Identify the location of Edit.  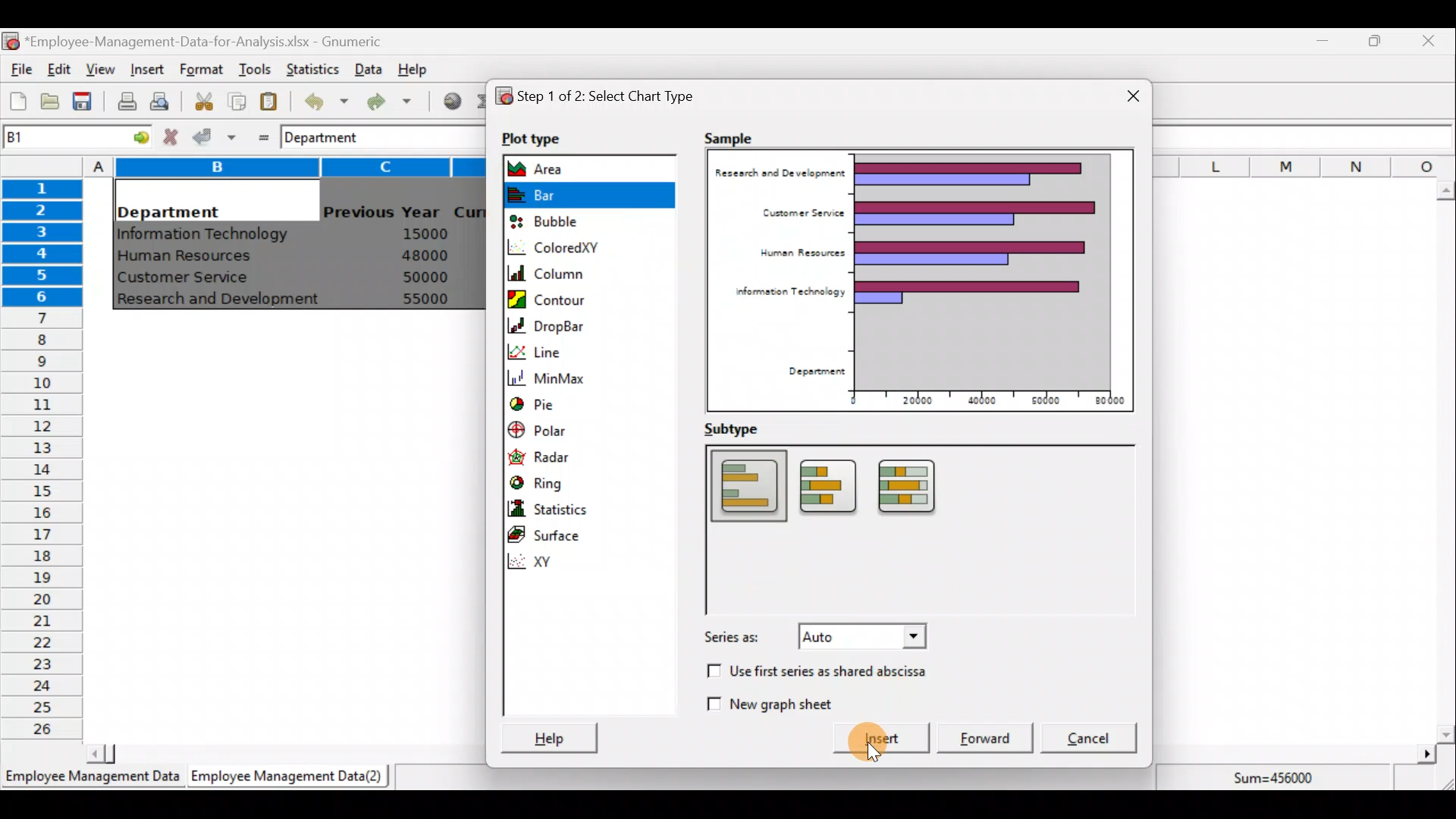
(60, 71).